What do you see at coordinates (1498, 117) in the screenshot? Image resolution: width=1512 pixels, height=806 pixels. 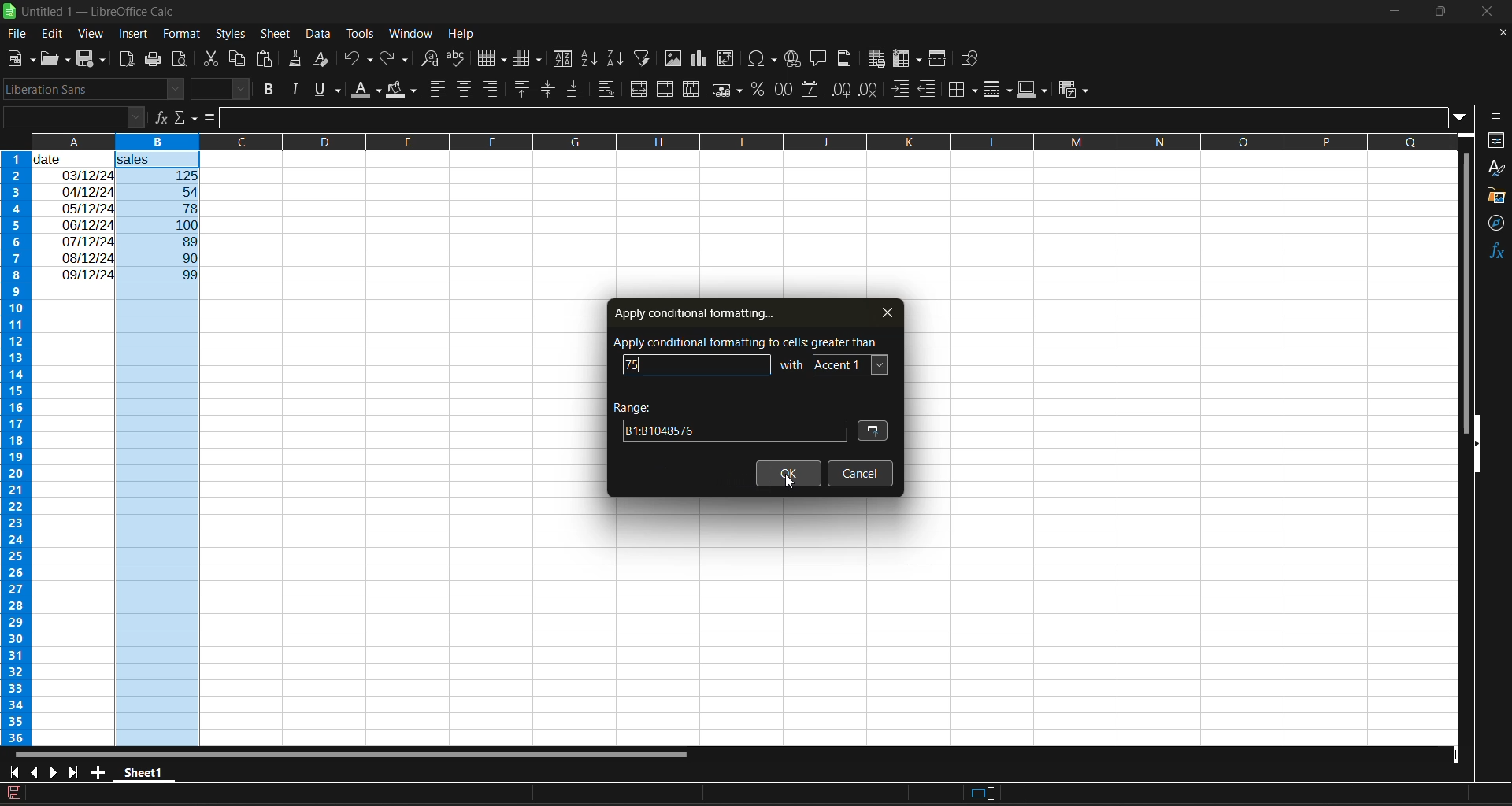 I see `hide sidebar settings` at bounding box center [1498, 117].